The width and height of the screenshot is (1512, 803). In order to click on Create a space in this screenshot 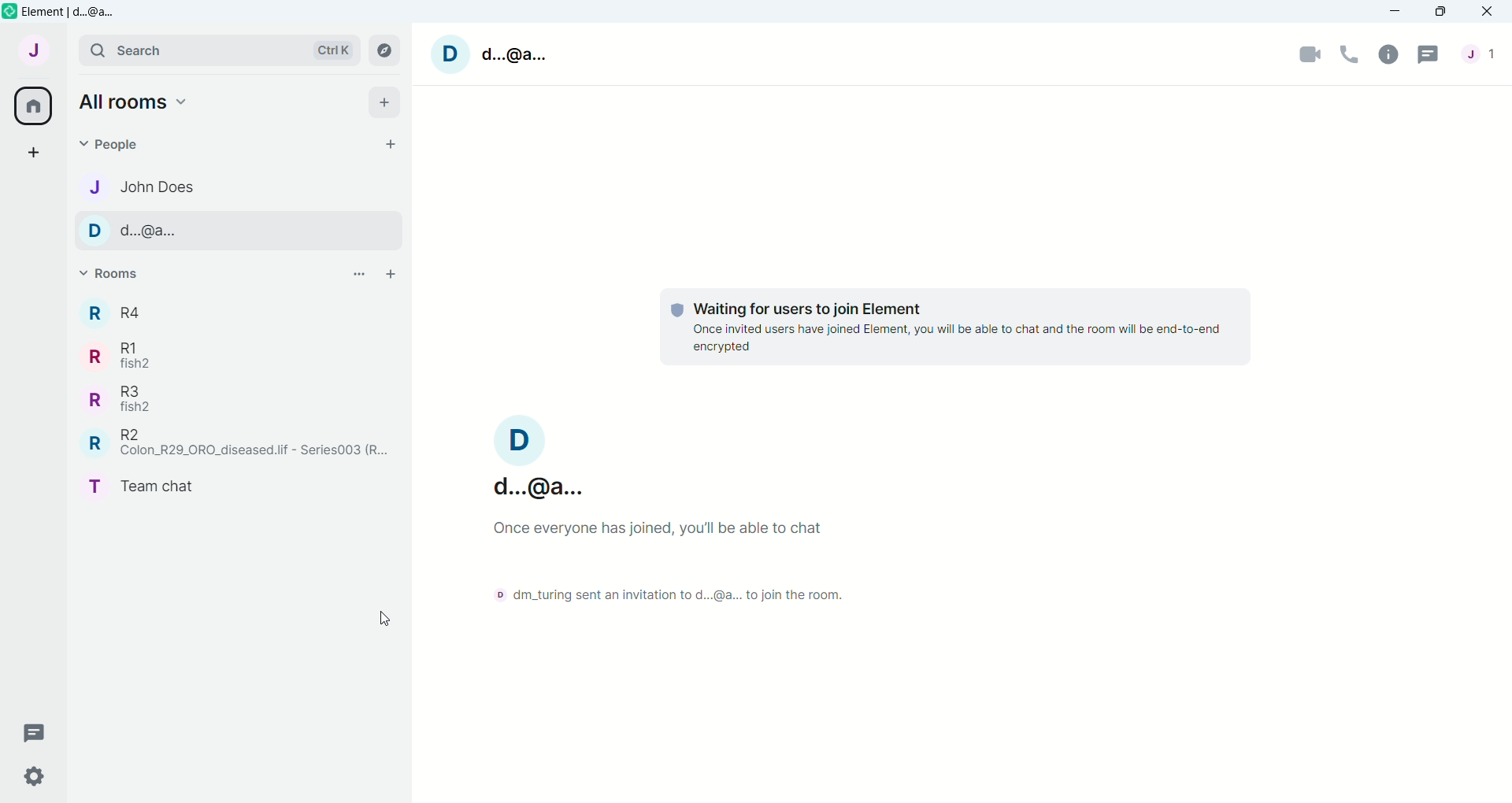, I will do `click(36, 151)`.